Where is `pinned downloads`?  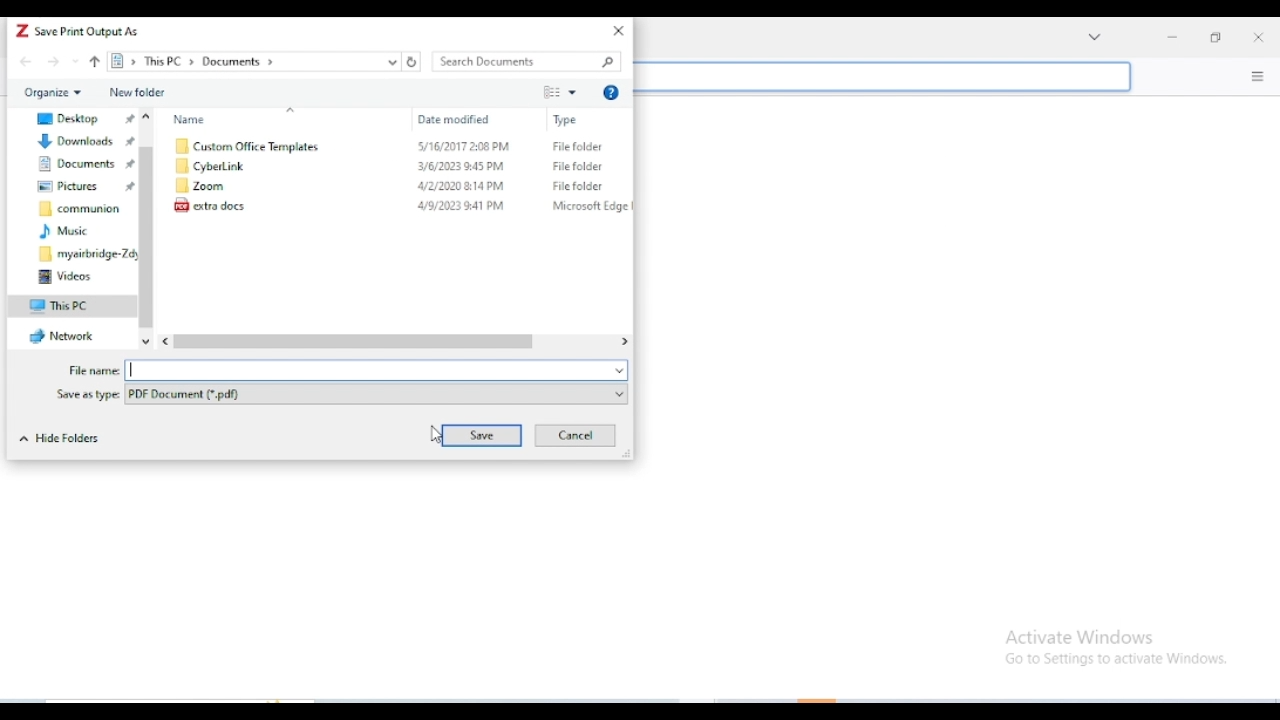
pinned downloads is located at coordinates (85, 140).